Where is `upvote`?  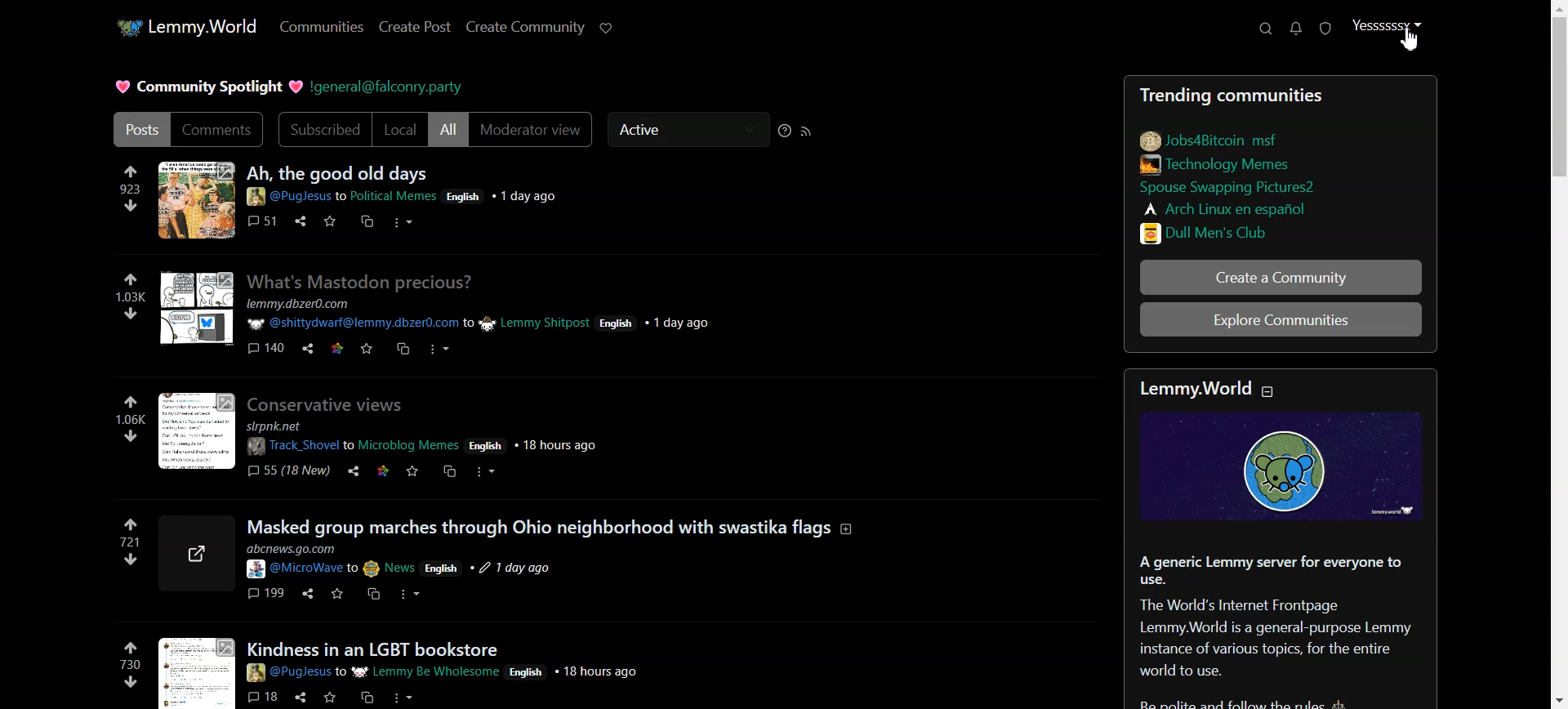 upvote is located at coordinates (131, 524).